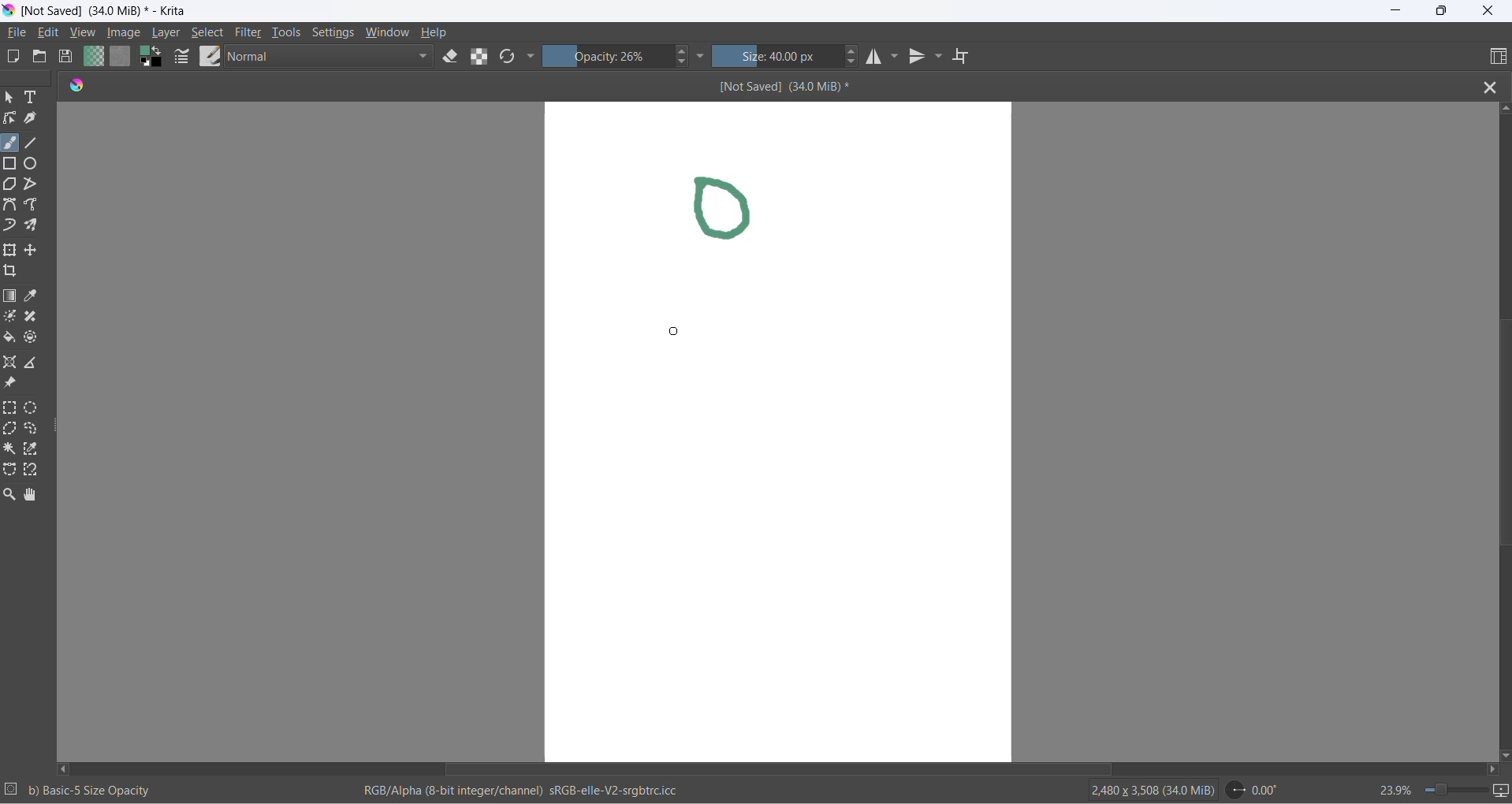 The image size is (1512, 804). Describe the element at coordinates (1503, 109) in the screenshot. I see `scroll up button` at that location.